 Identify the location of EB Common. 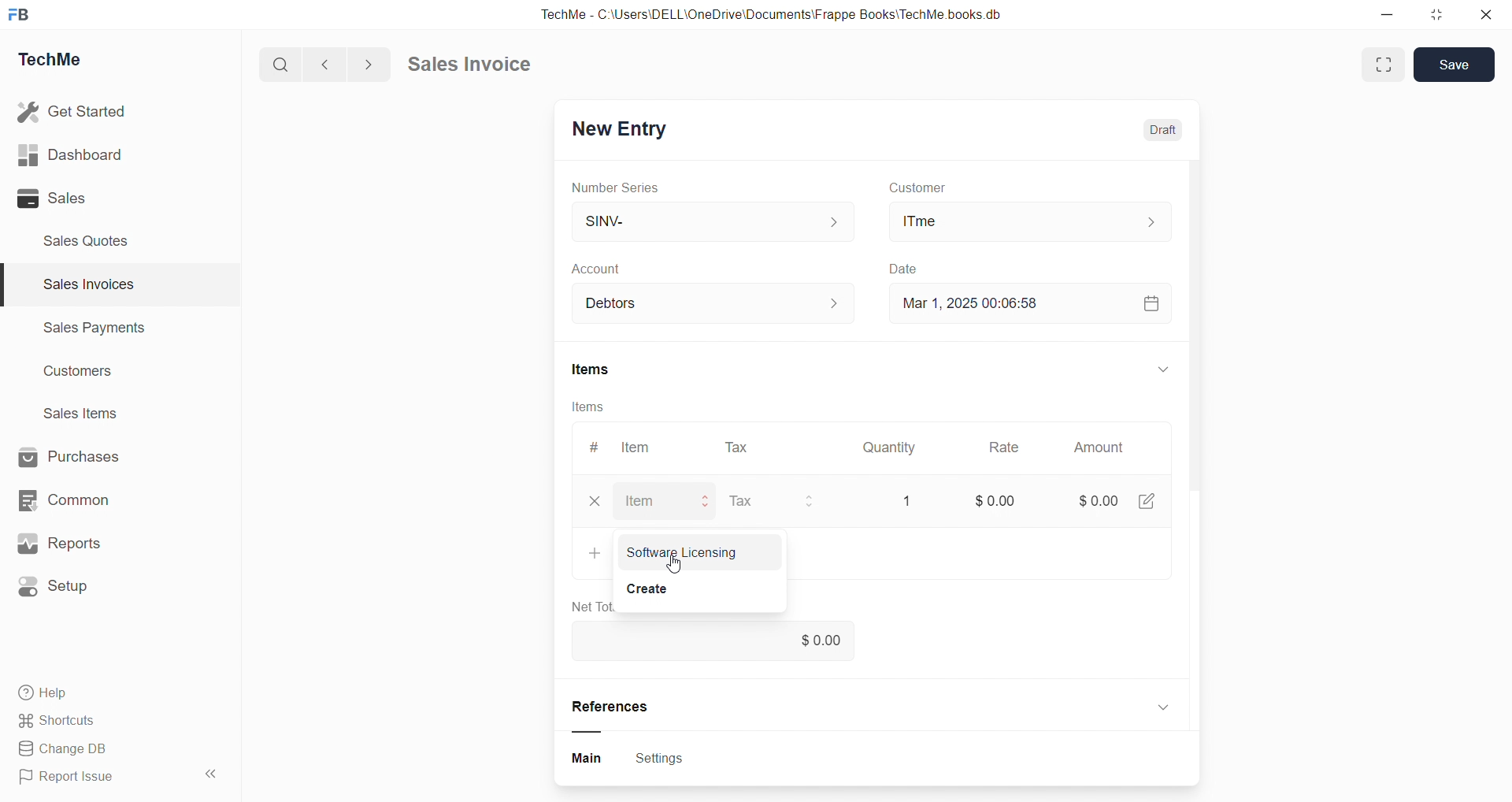
(80, 499).